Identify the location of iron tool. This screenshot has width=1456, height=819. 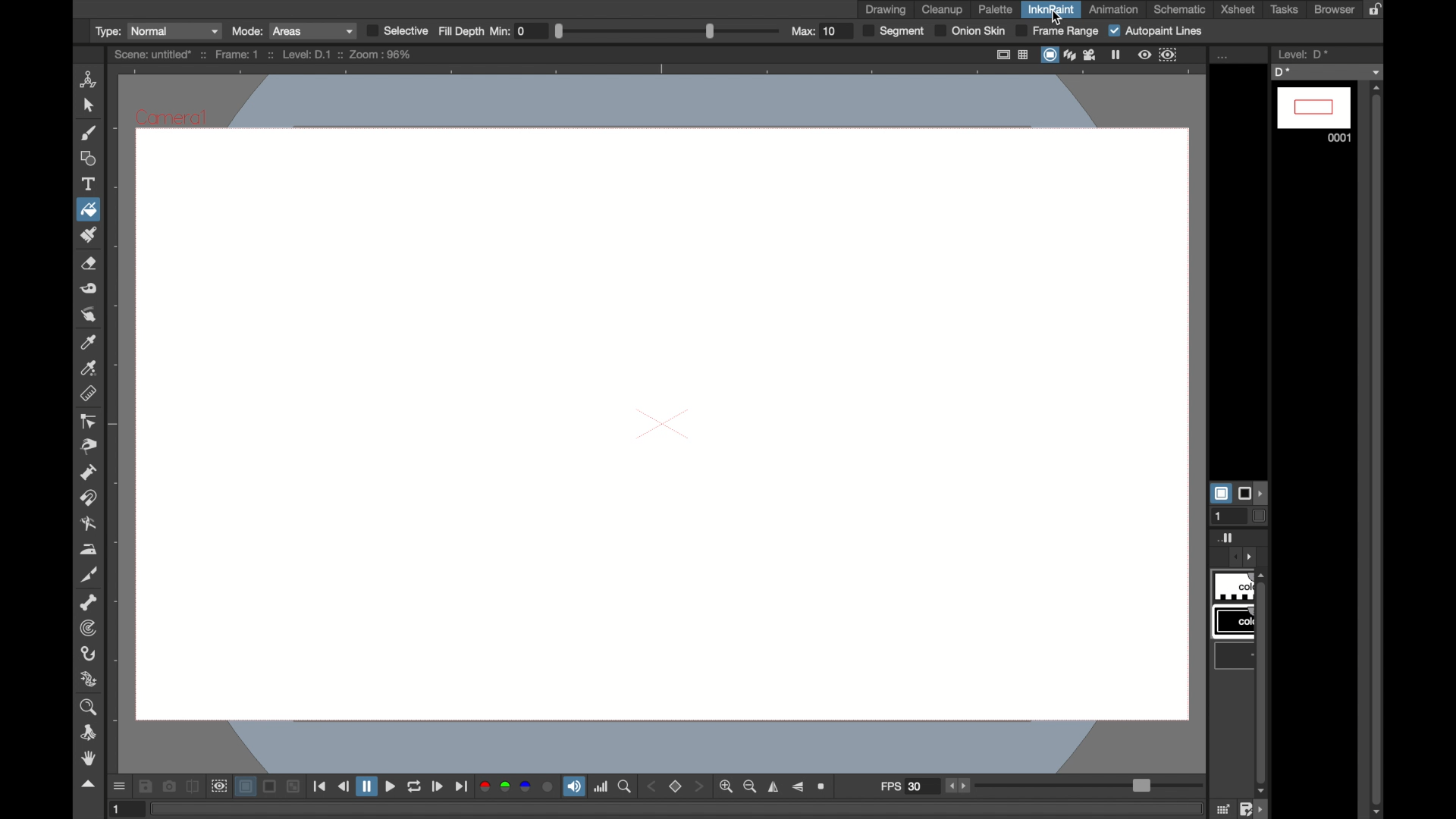
(90, 550).